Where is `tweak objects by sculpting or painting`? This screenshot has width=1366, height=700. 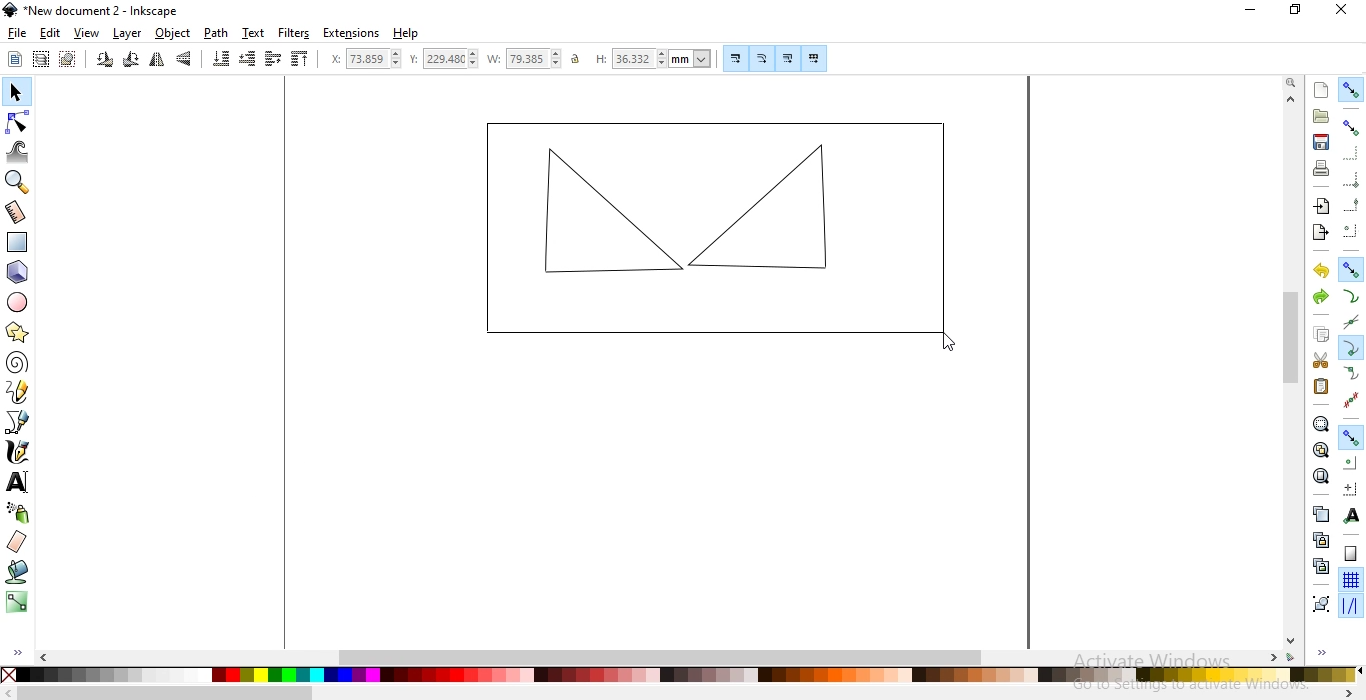
tweak objects by sculpting or painting is located at coordinates (19, 152).